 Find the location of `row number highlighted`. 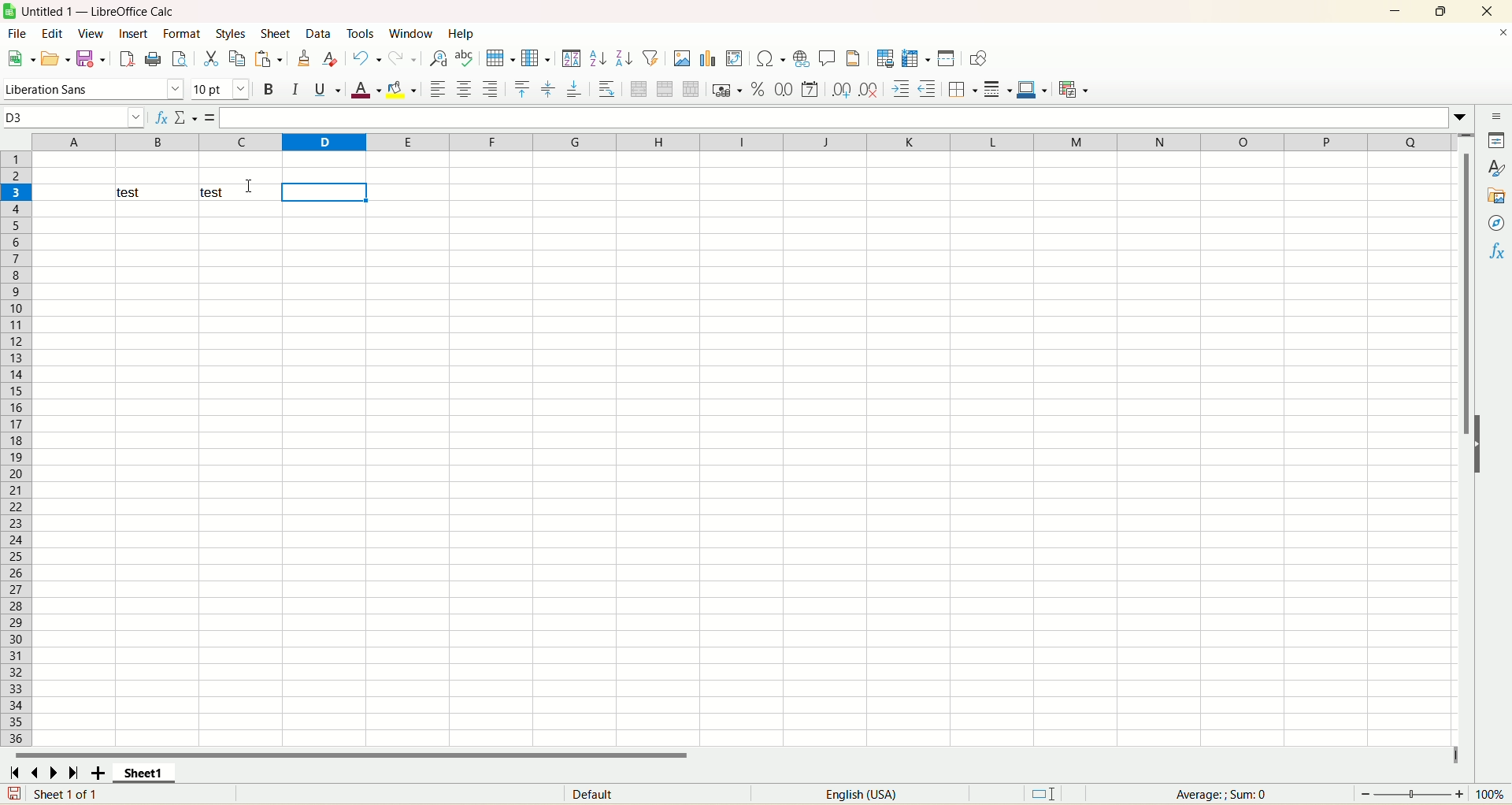

row number highlighted is located at coordinates (16, 193).